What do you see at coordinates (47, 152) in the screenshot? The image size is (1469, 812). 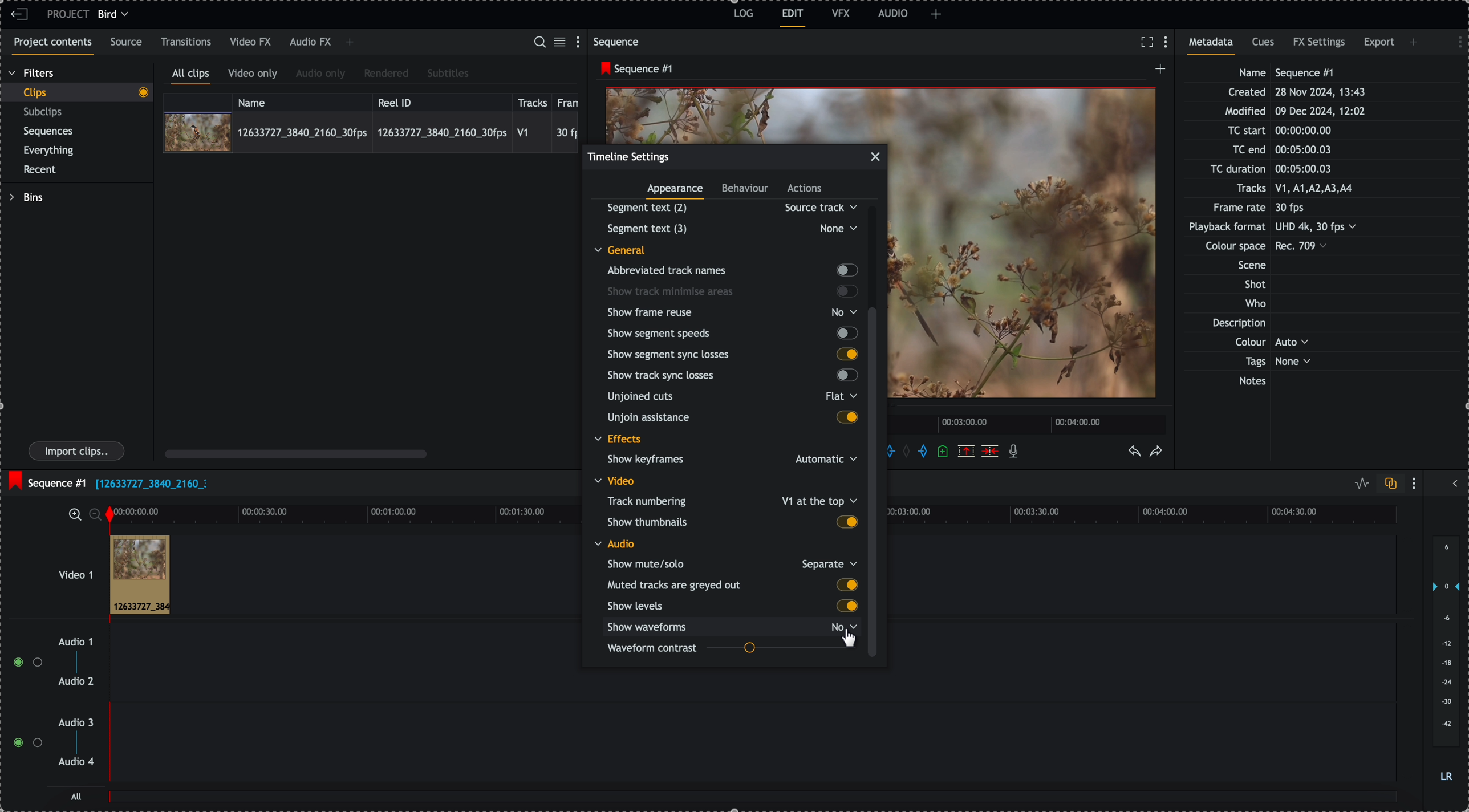 I see `` at bounding box center [47, 152].